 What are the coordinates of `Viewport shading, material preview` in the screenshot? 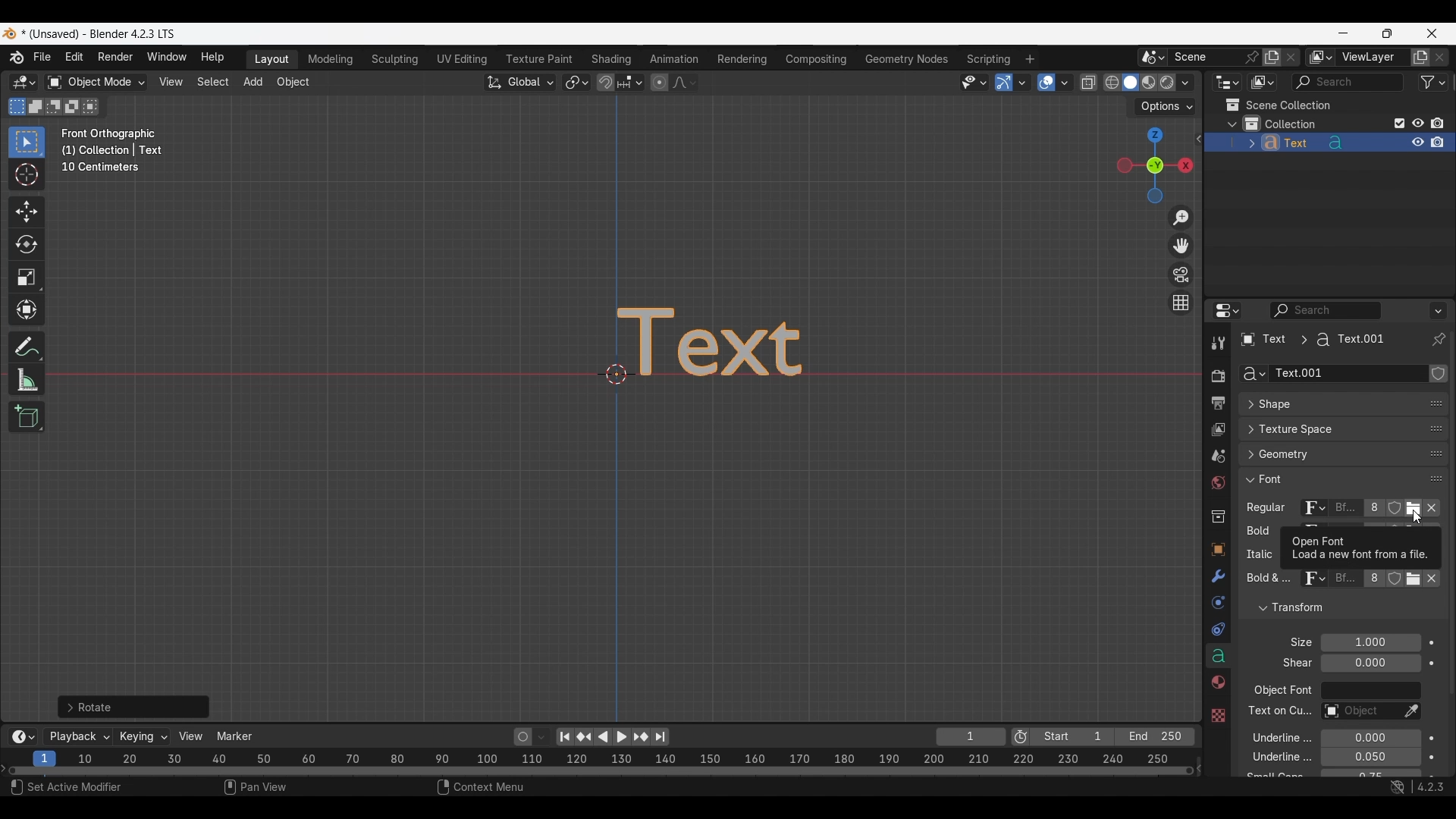 It's located at (1148, 82).